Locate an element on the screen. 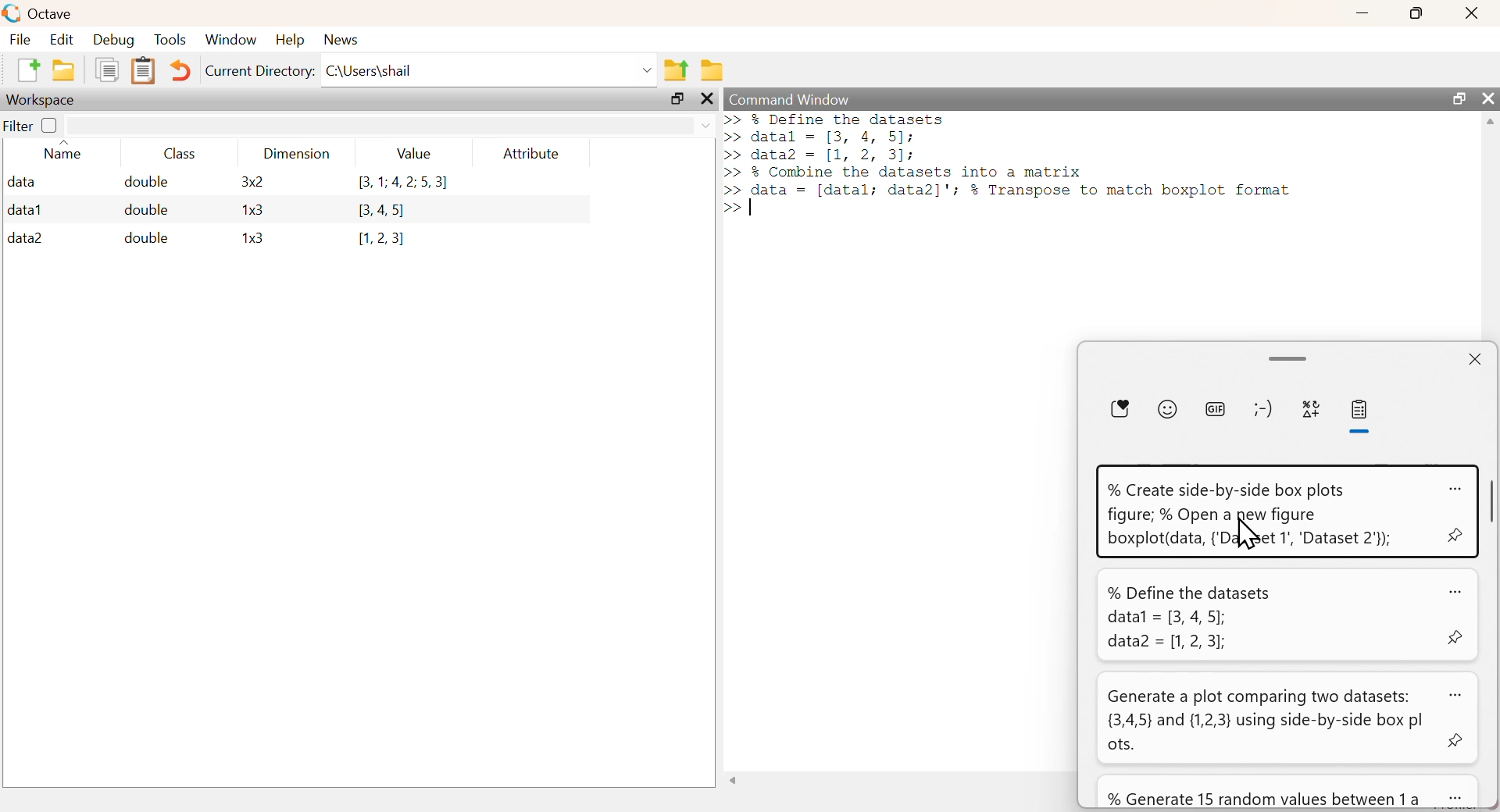 The image size is (1500, 812). Scroll bar is located at coordinates (1491, 507).